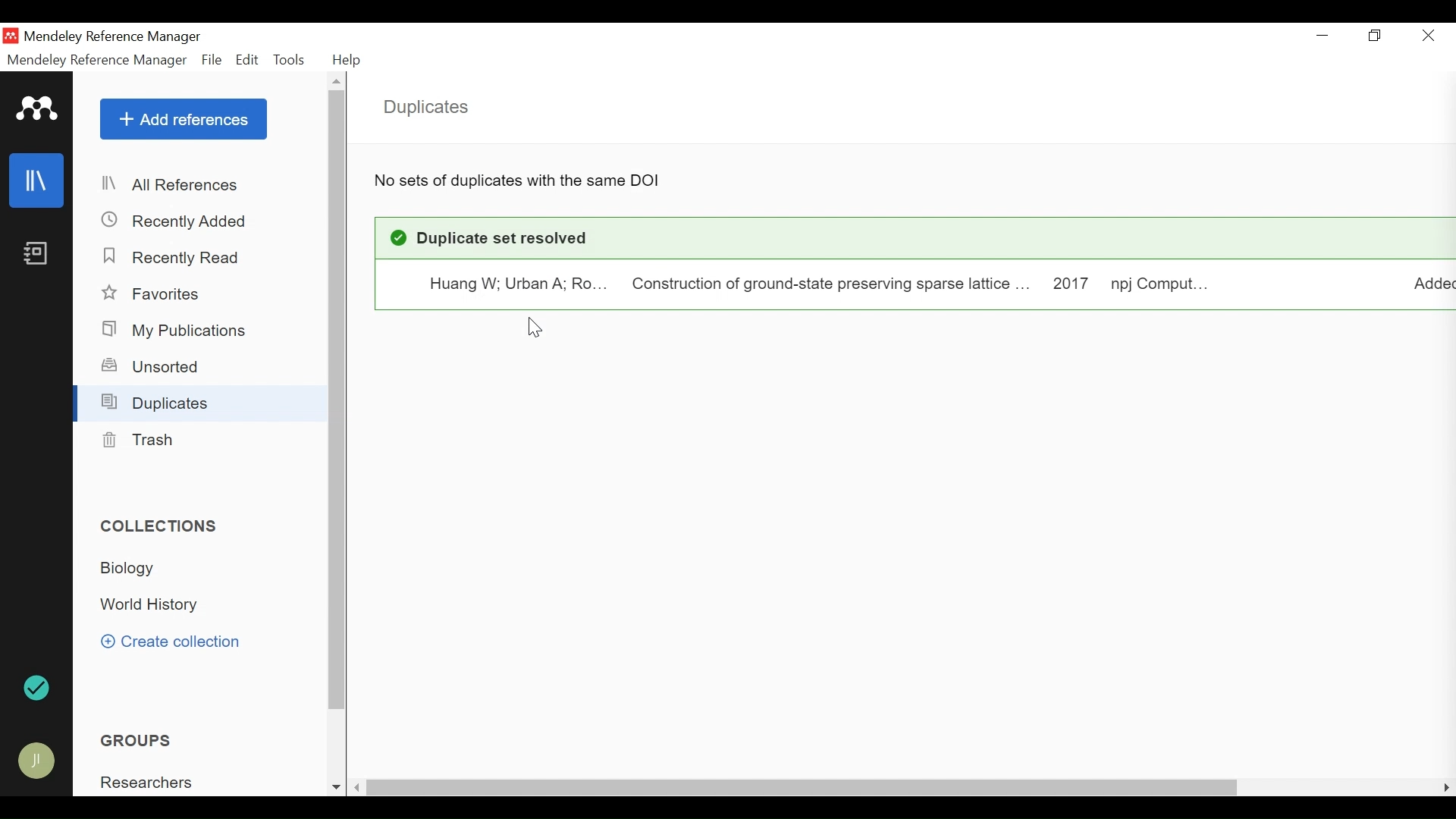  What do you see at coordinates (175, 256) in the screenshot?
I see `Recently Read` at bounding box center [175, 256].